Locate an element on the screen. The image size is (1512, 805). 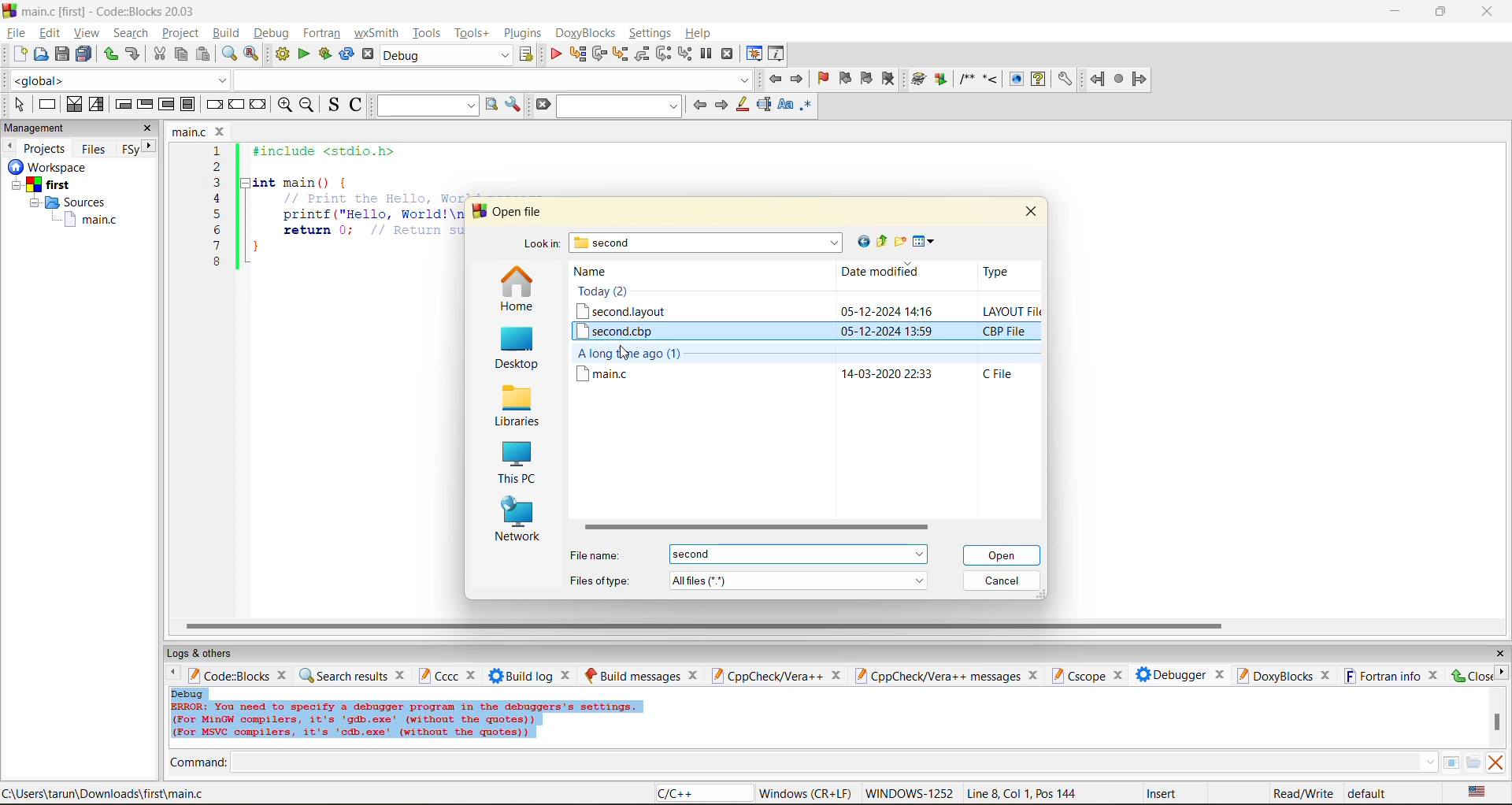
close is located at coordinates (1031, 210).